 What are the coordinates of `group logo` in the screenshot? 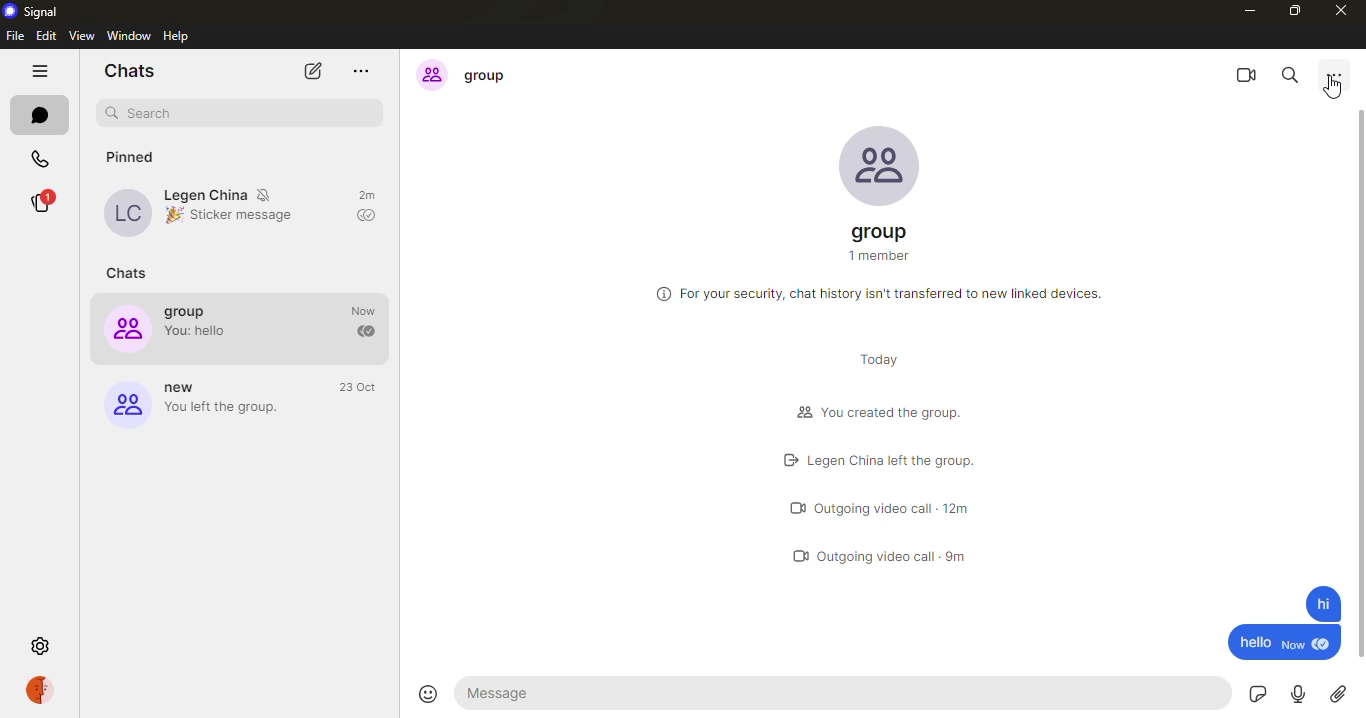 It's located at (799, 413).